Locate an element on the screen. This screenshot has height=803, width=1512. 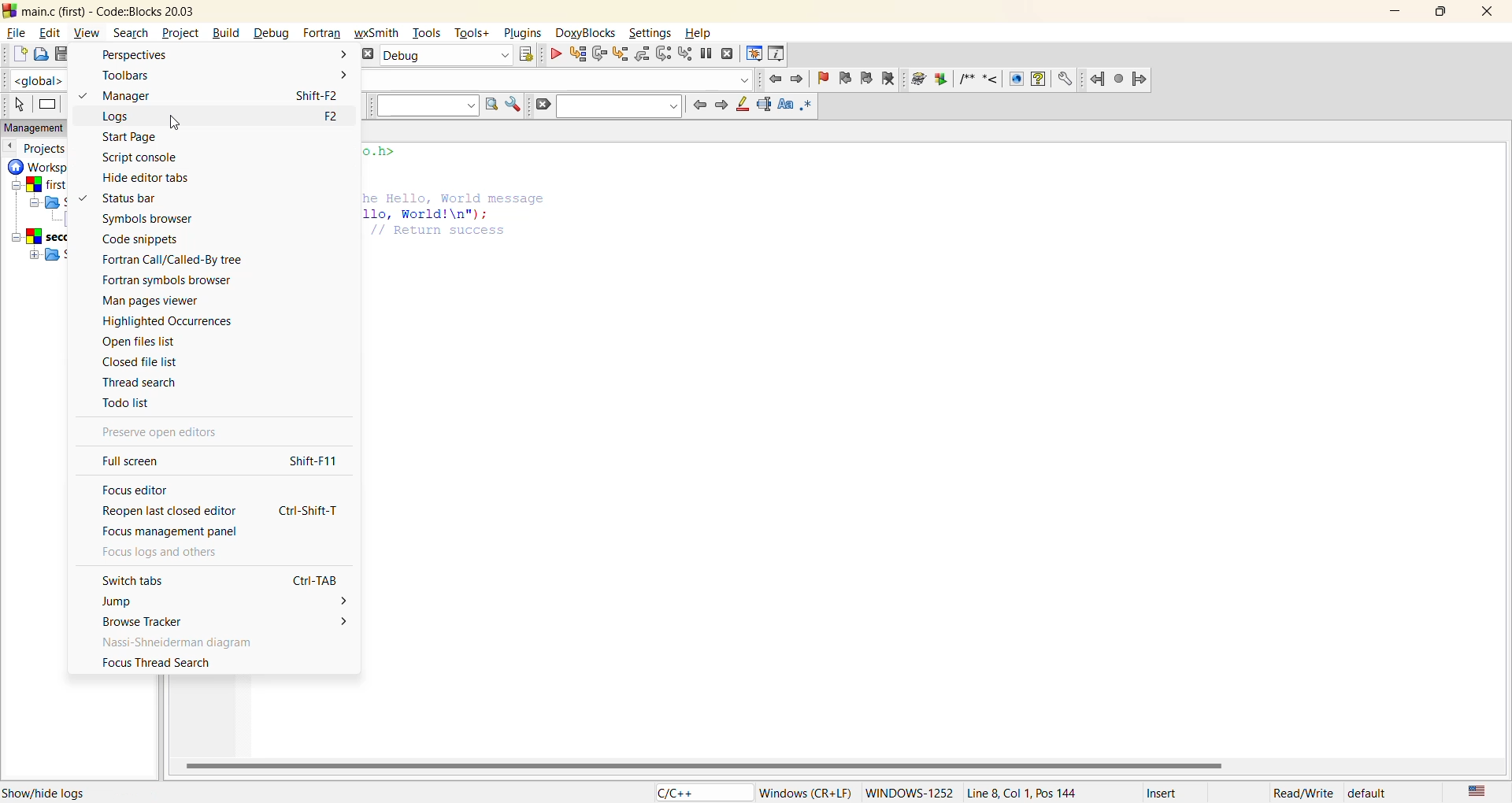
instruction is located at coordinates (46, 103).